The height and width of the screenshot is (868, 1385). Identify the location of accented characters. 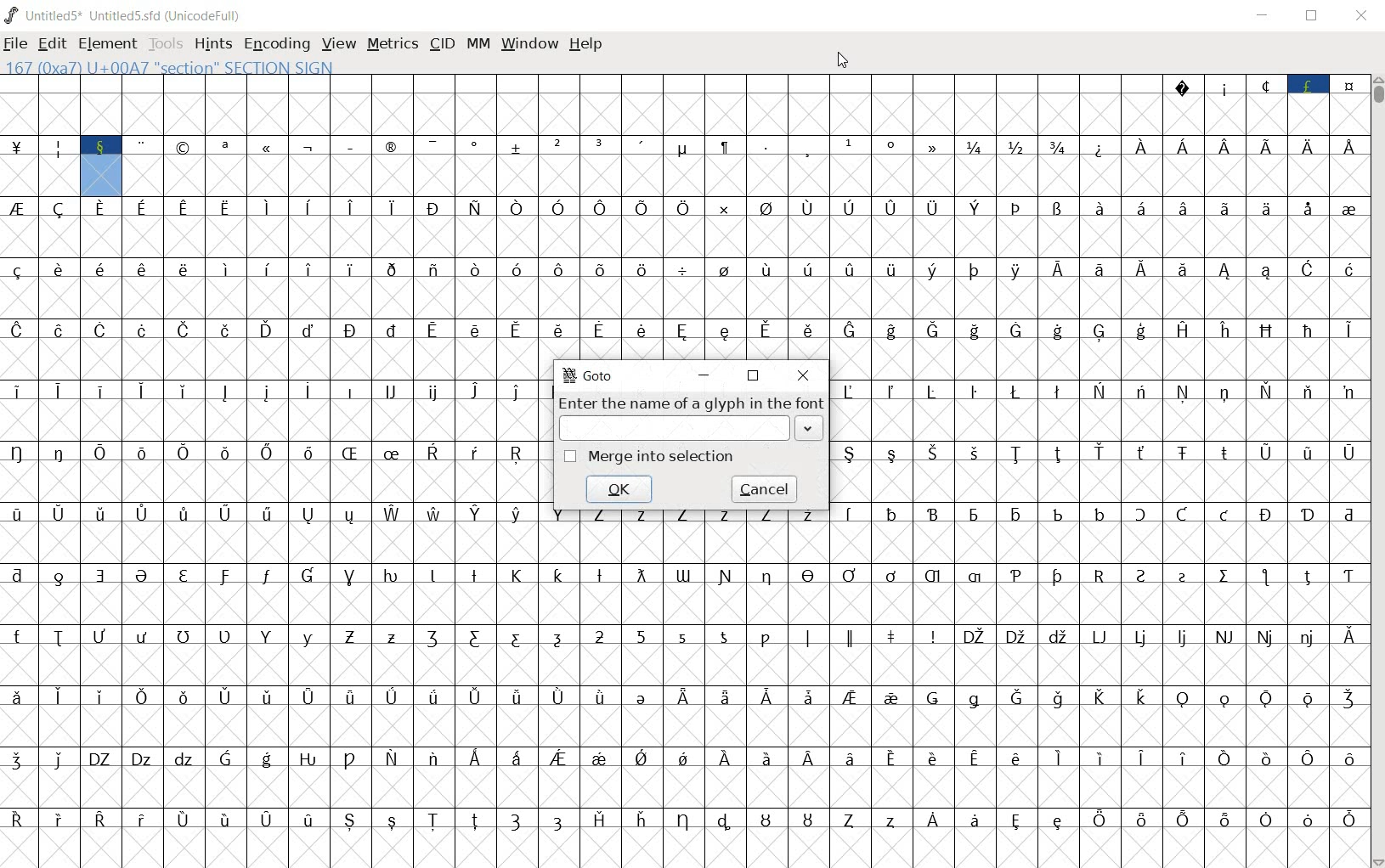
(414, 778).